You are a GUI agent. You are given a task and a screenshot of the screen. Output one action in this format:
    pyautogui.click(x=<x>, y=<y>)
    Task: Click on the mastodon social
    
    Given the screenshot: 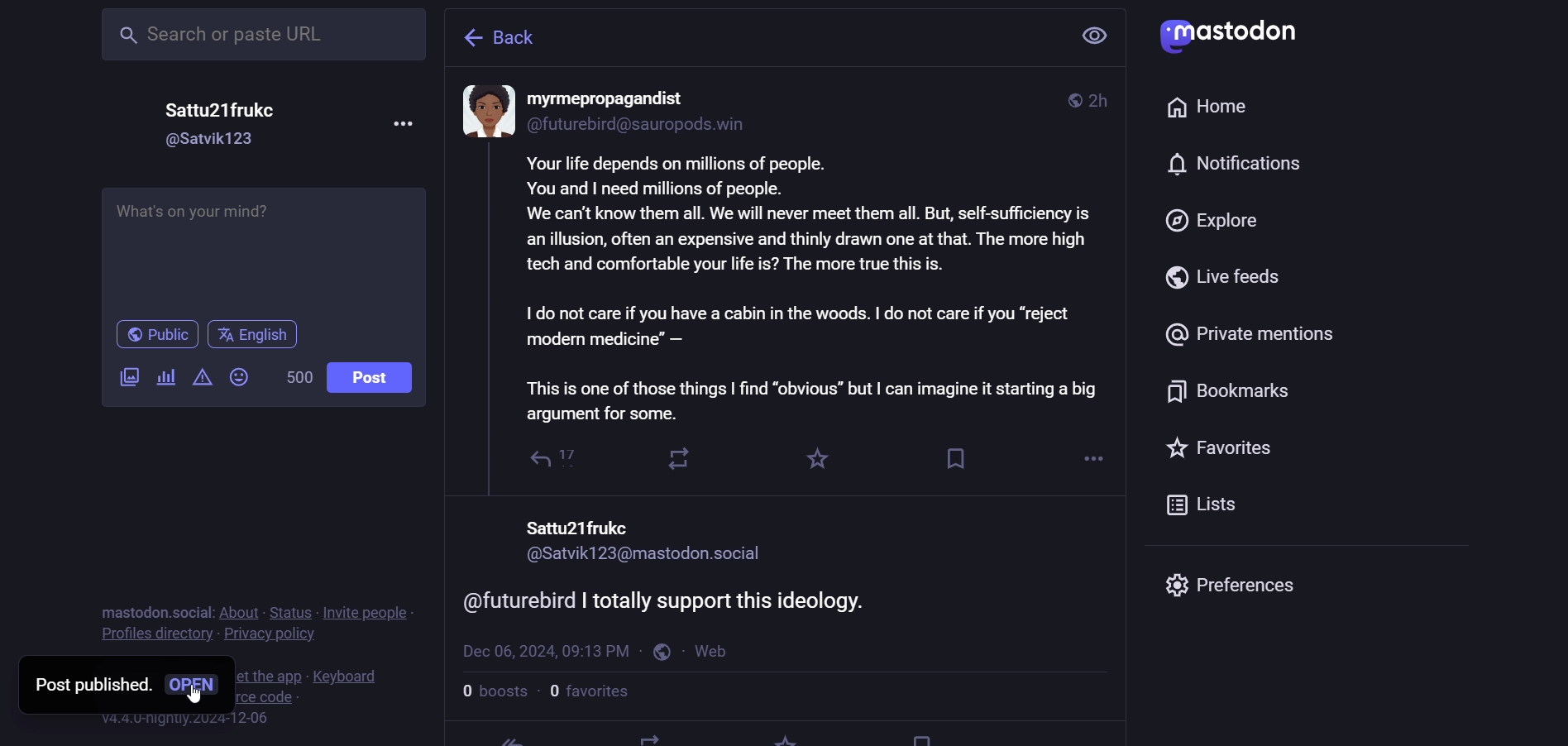 What is the action you would take?
    pyautogui.click(x=152, y=611)
    